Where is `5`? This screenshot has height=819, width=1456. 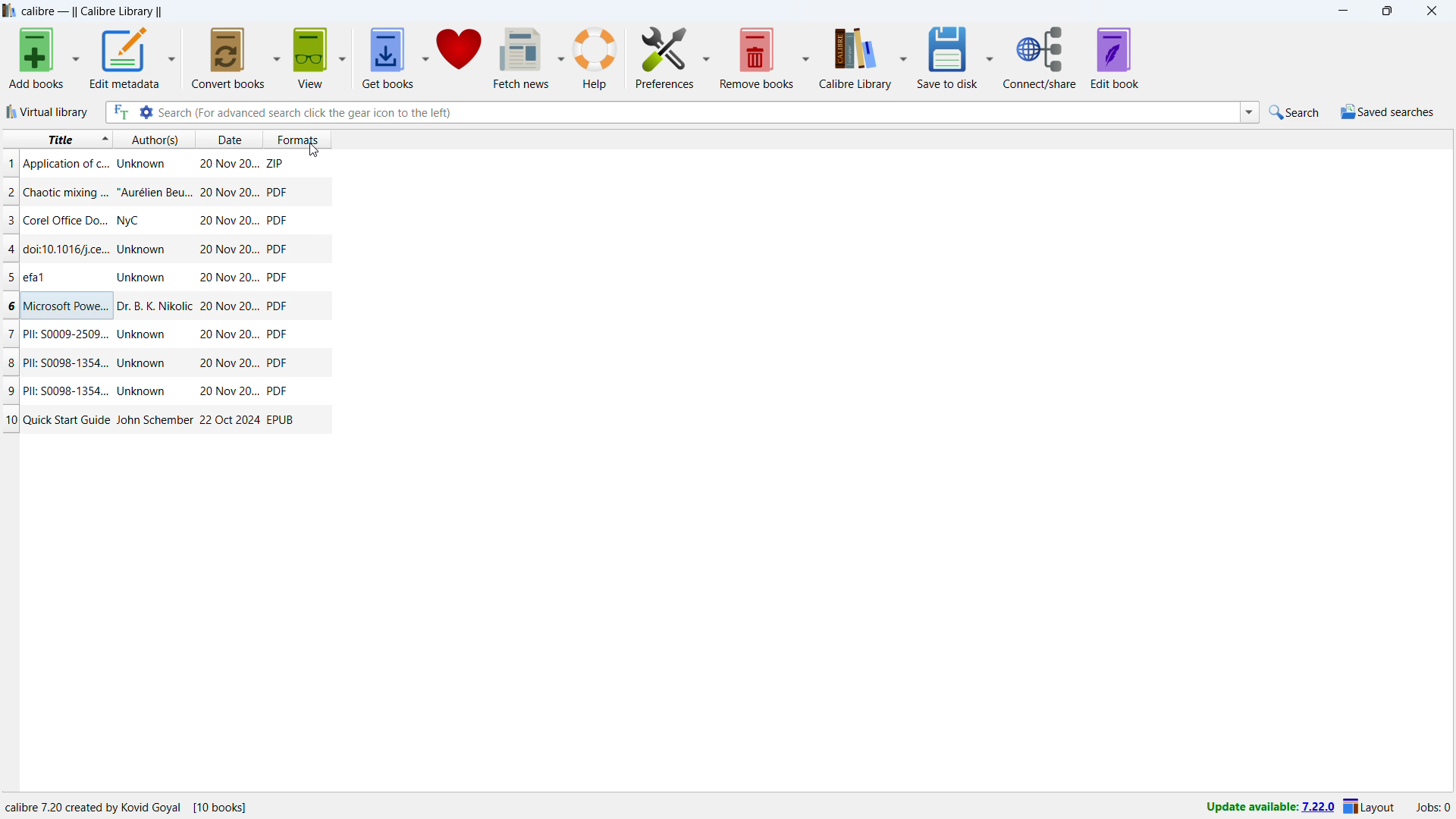 5 is located at coordinates (9, 278).